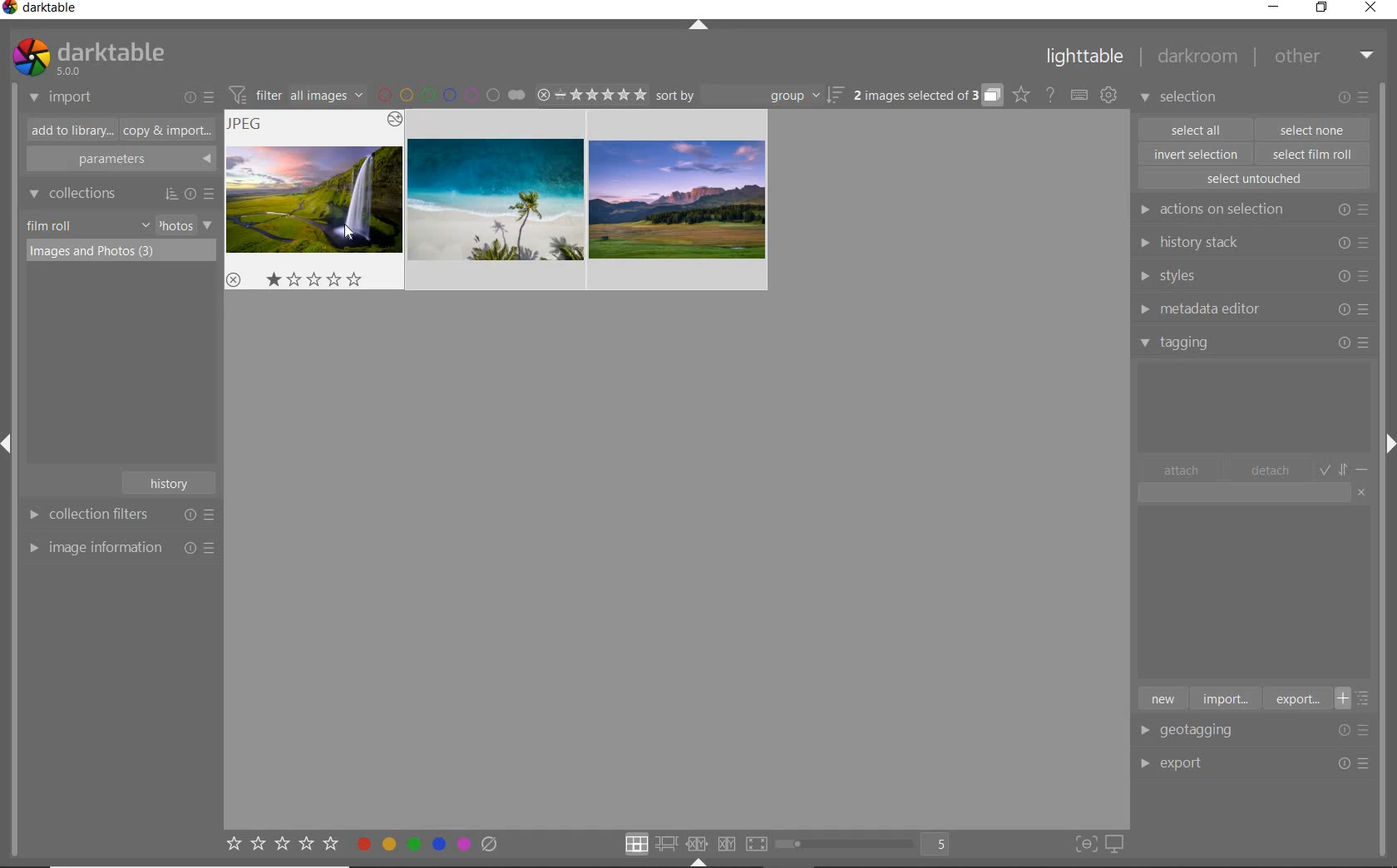 Image resolution: width=1397 pixels, height=868 pixels. What do you see at coordinates (121, 547) in the screenshot?
I see `image information` at bounding box center [121, 547].